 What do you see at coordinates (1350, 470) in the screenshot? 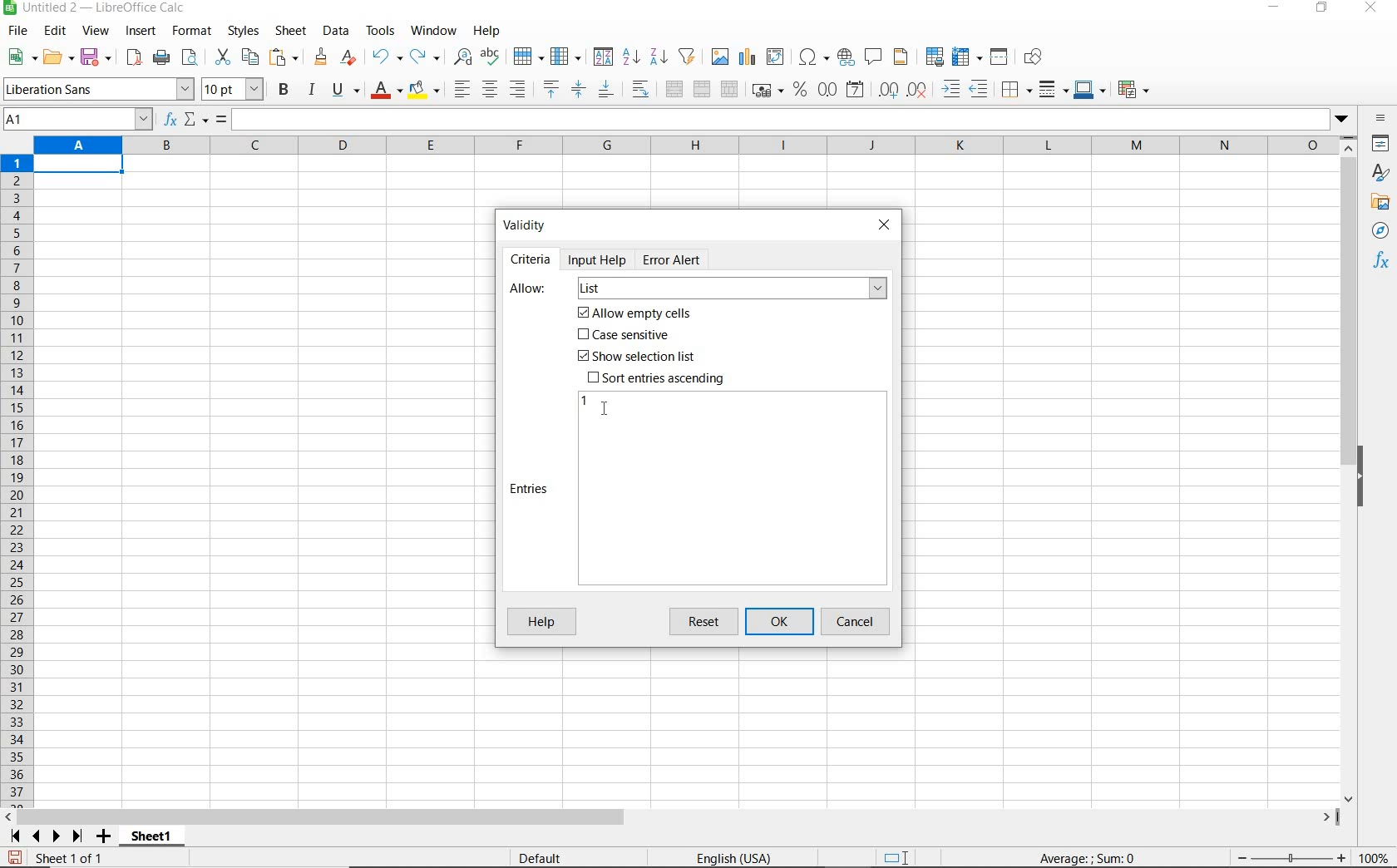
I see `scrollbar` at bounding box center [1350, 470].